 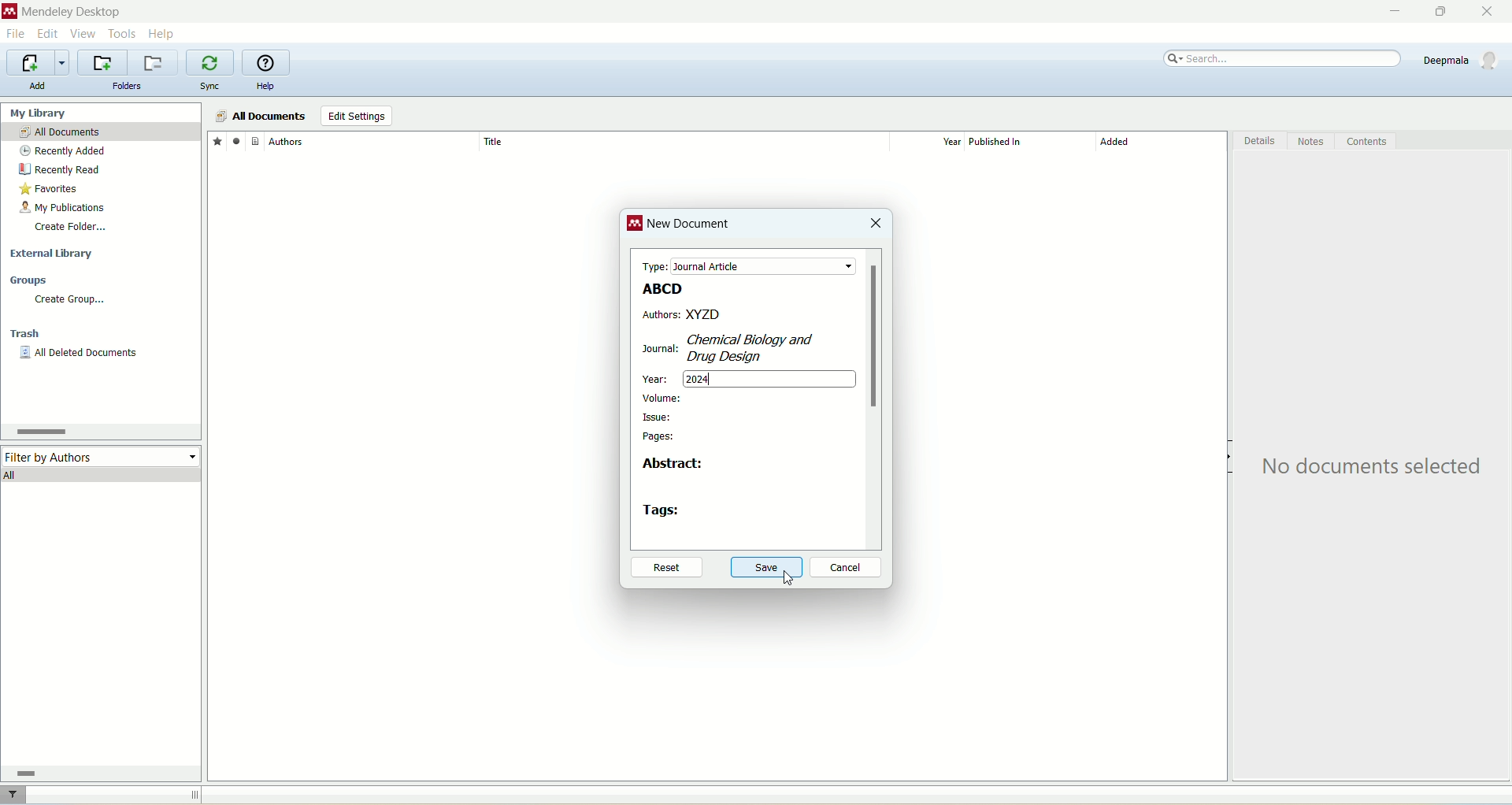 I want to click on XYZD, so click(x=773, y=313).